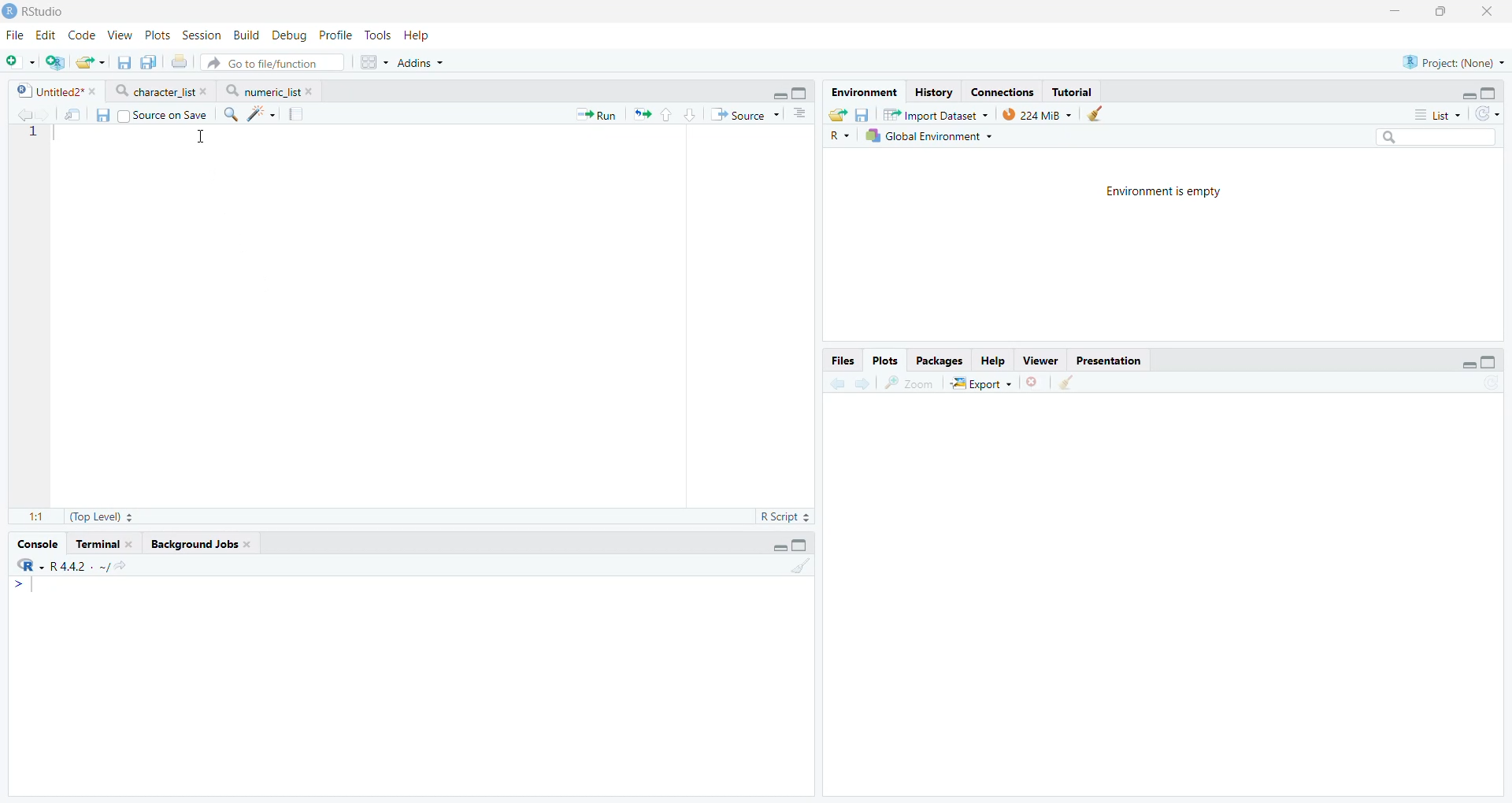 The width and height of the screenshot is (1512, 803). Describe the element at coordinates (1040, 360) in the screenshot. I see `Viewer` at that location.